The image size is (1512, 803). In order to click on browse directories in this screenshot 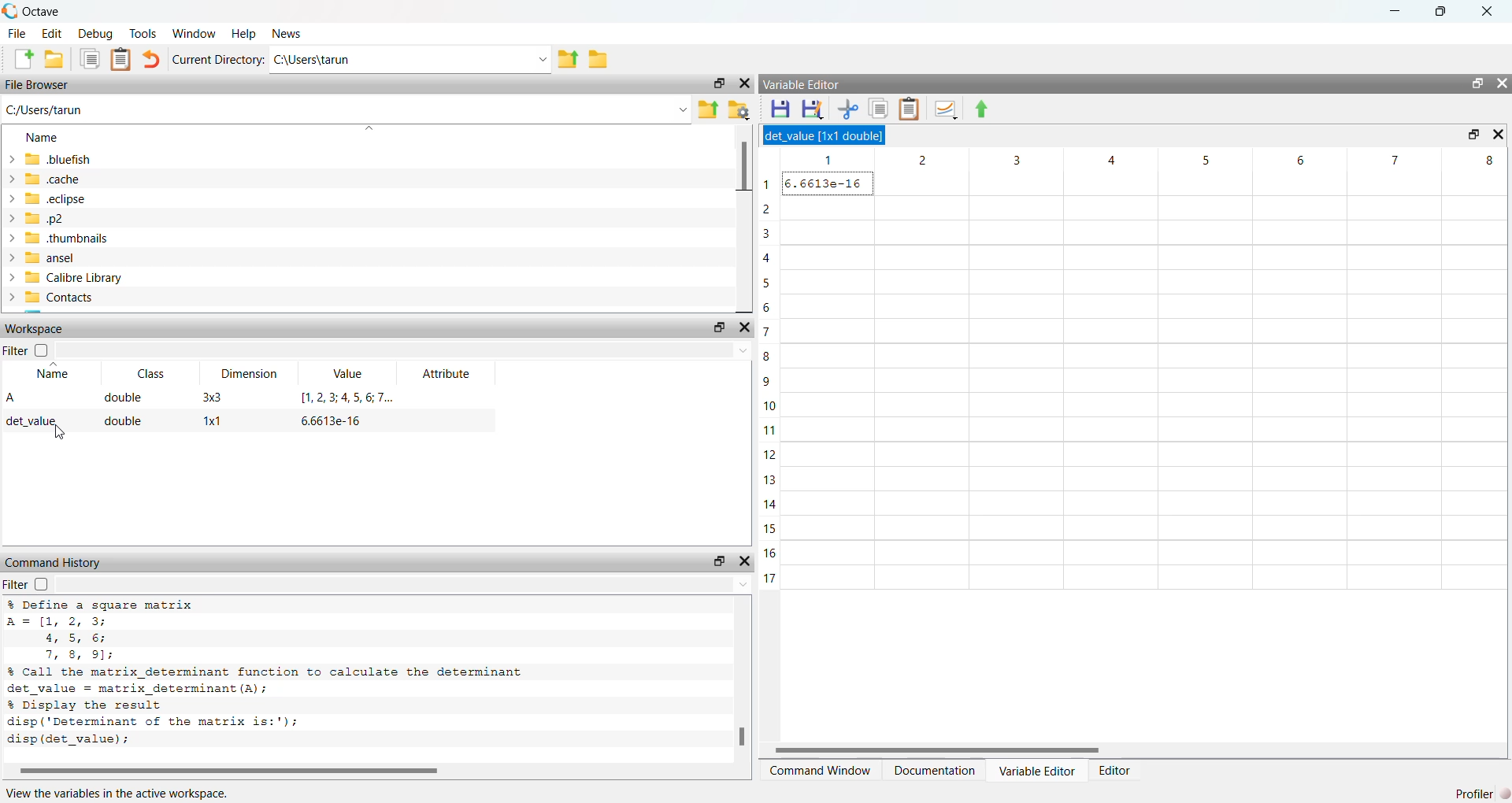, I will do `click(738, 111)`.